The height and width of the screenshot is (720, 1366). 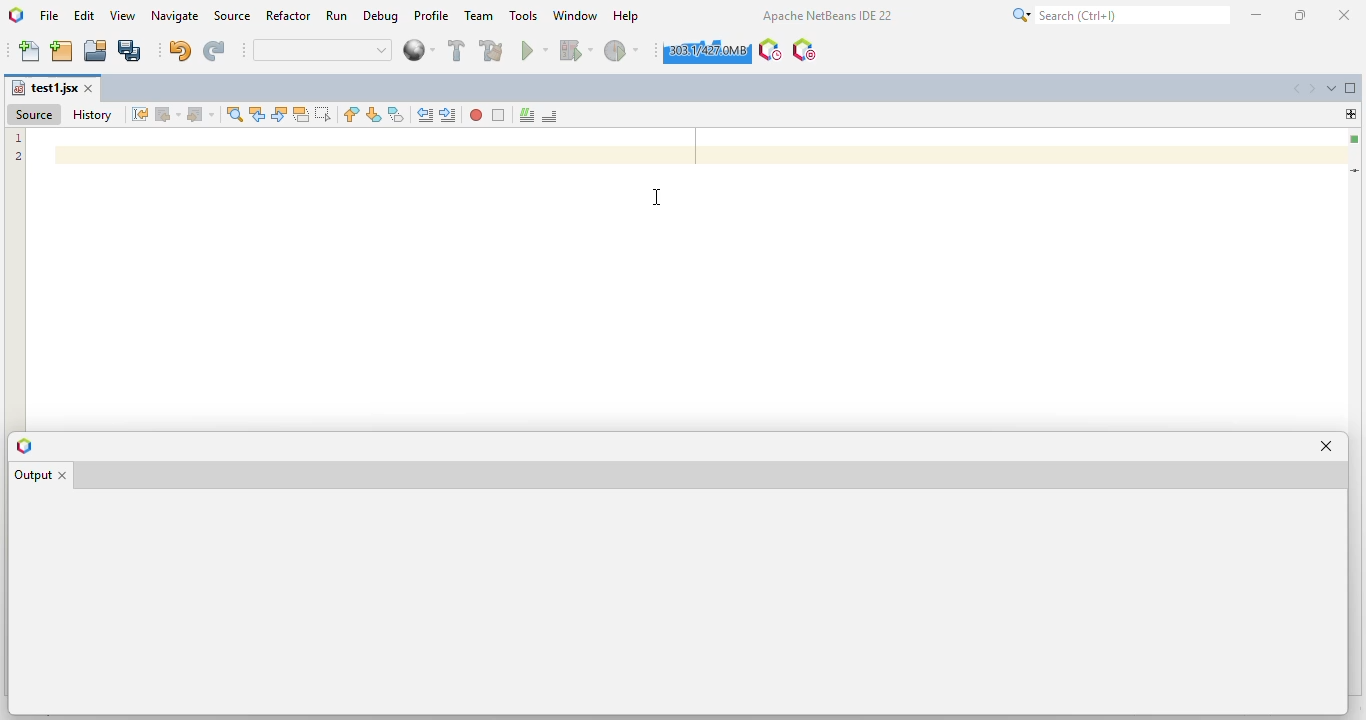 I want to click on file, so click(x=50, y=16).